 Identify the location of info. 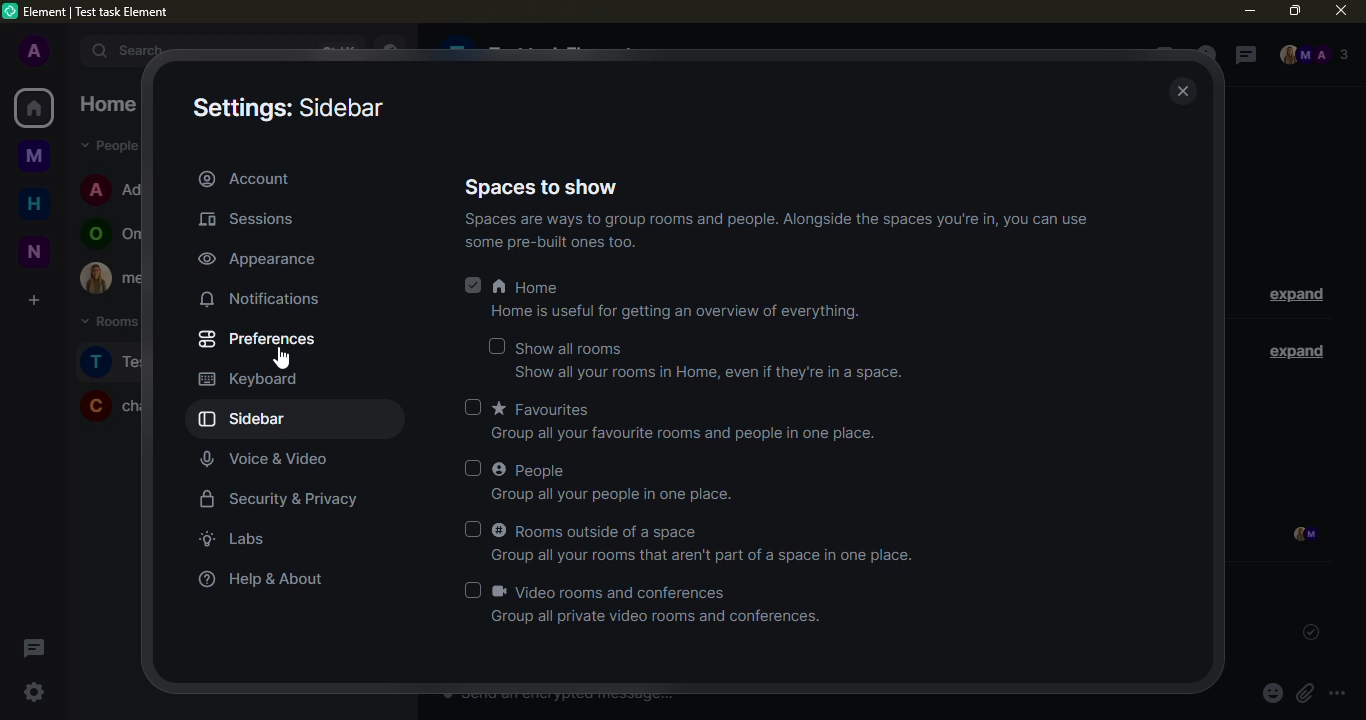
(705, 372).